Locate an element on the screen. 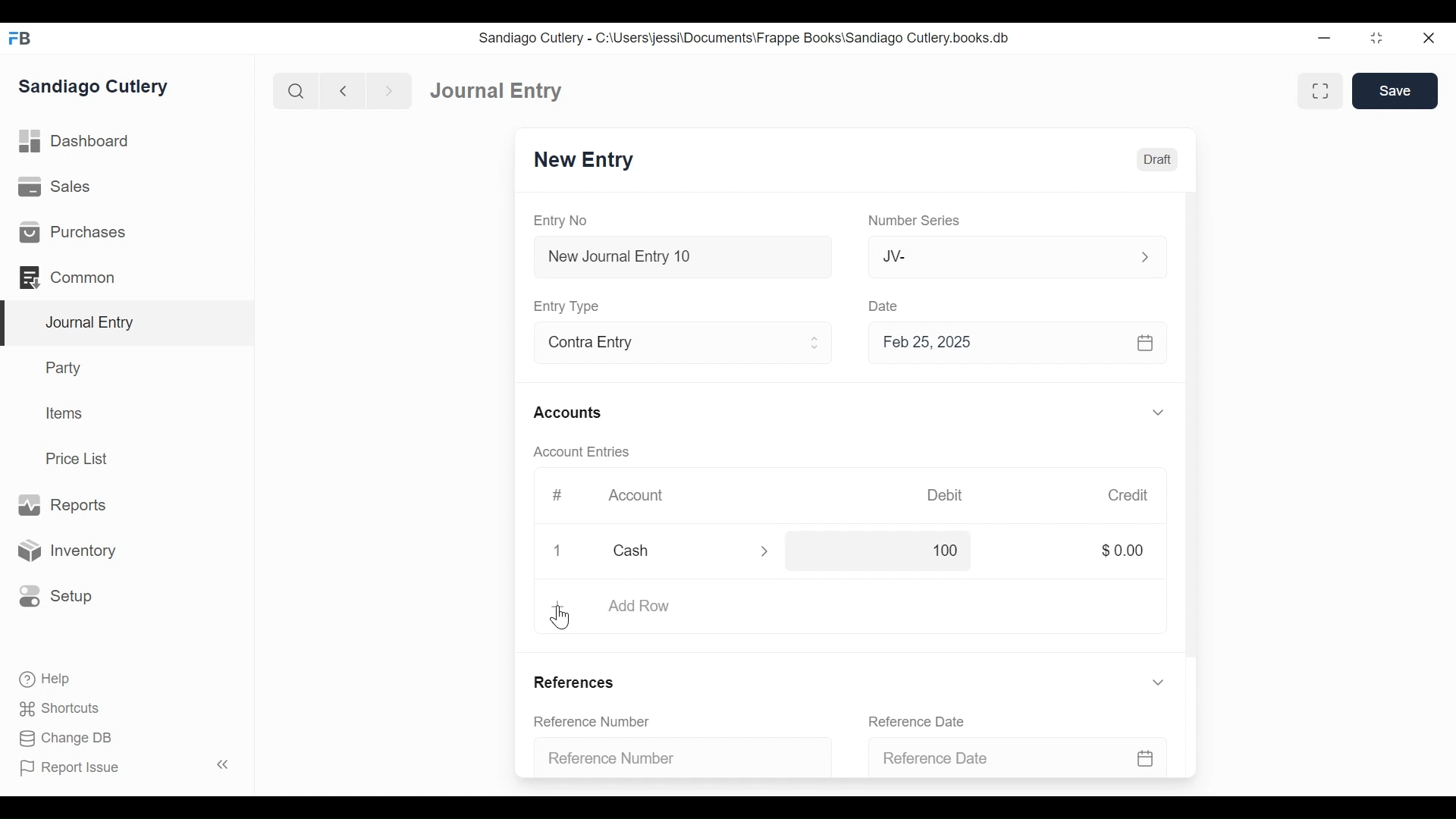 This screenshot has width=1456, height=819. Toggle between form and full width is located at coordinates (1318, 89).